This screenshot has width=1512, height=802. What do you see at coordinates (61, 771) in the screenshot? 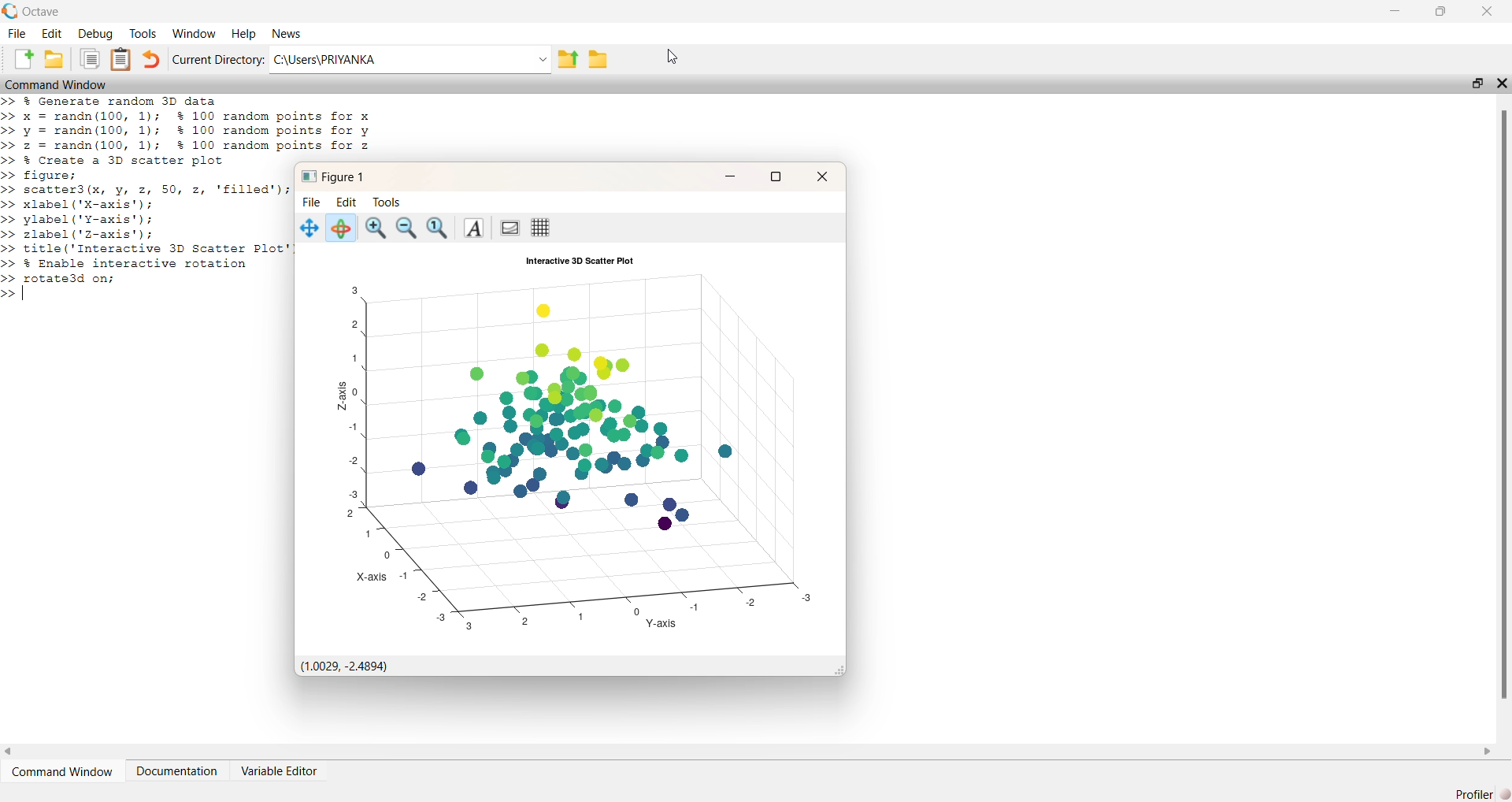
I see `Command Window` at bounding box center [61, 771].